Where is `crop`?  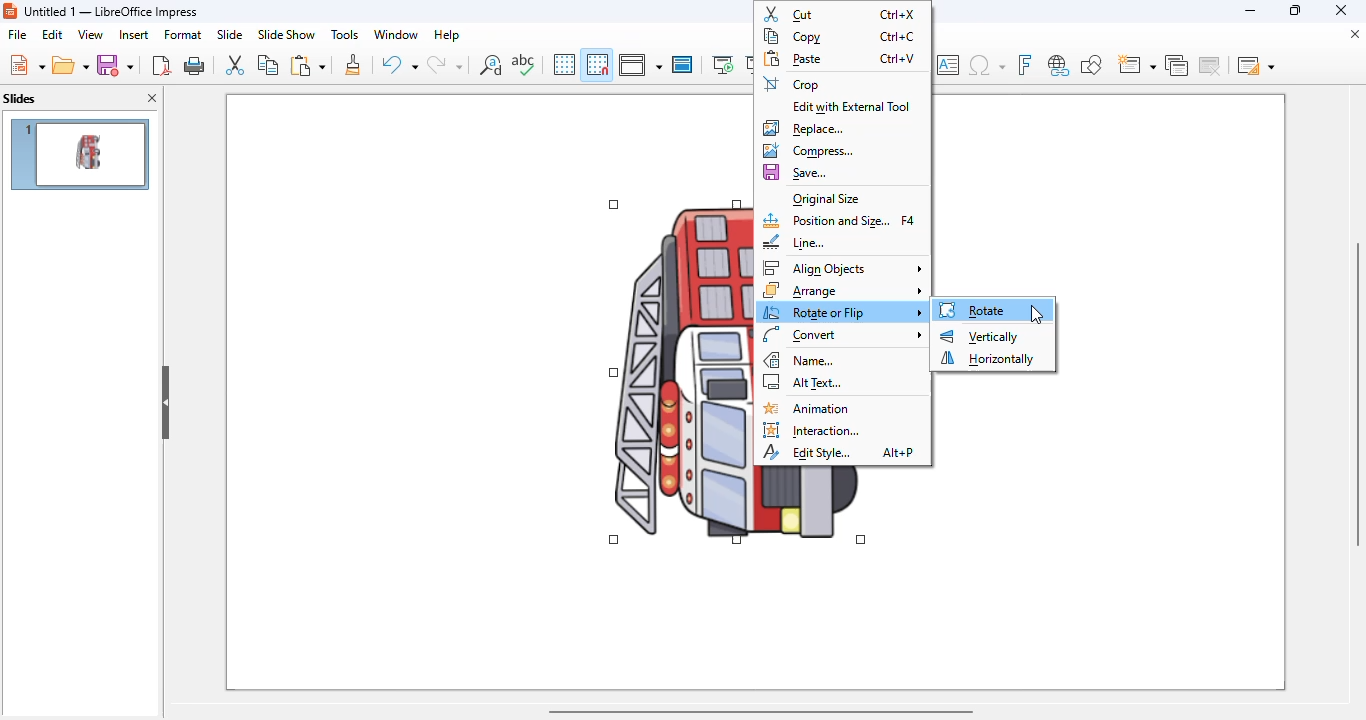 crop is located at coordinates (792, 84).